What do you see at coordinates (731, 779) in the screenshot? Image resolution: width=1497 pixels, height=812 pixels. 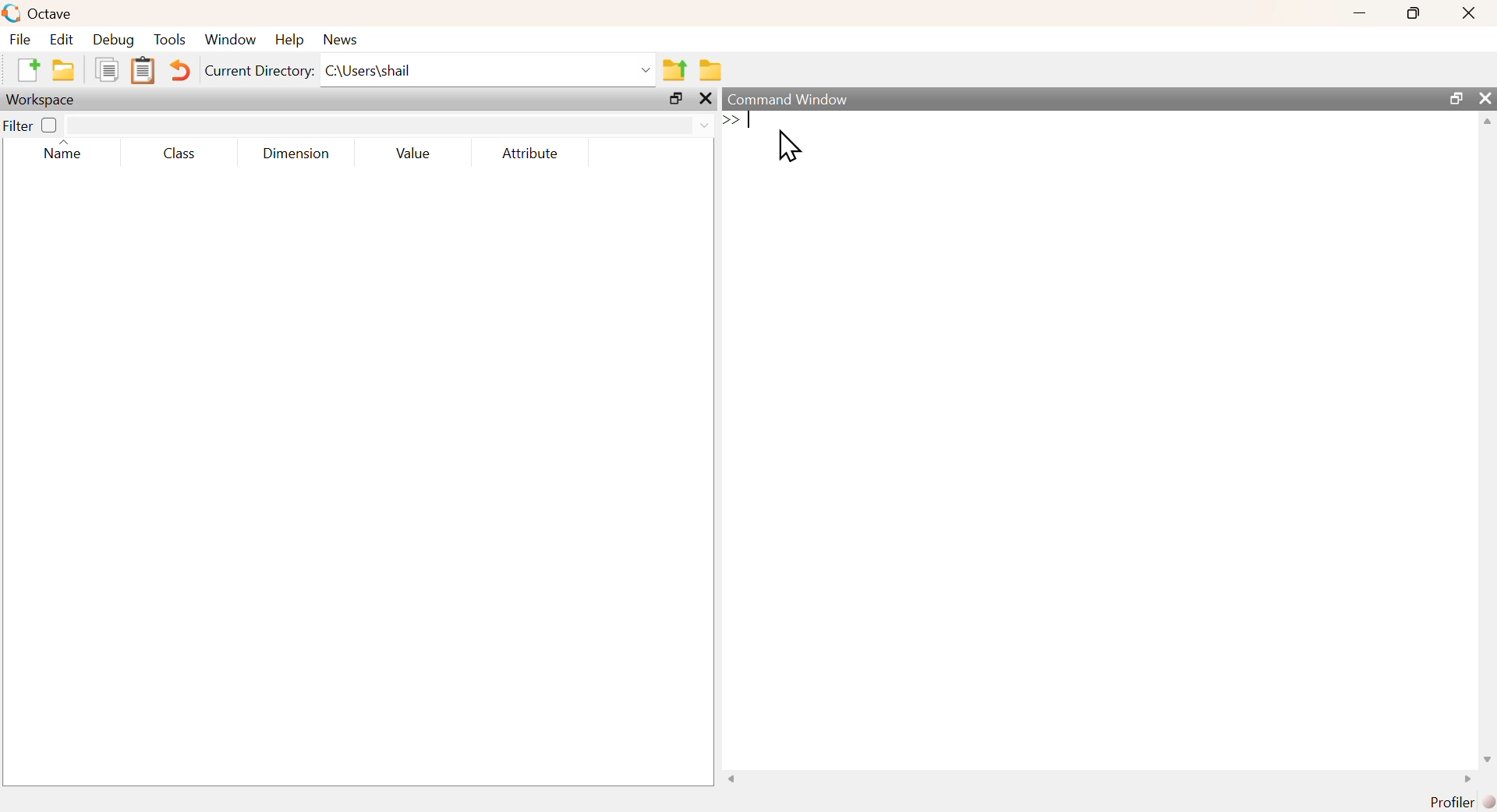 I see `scroll left` at bounding box center [731, 779].